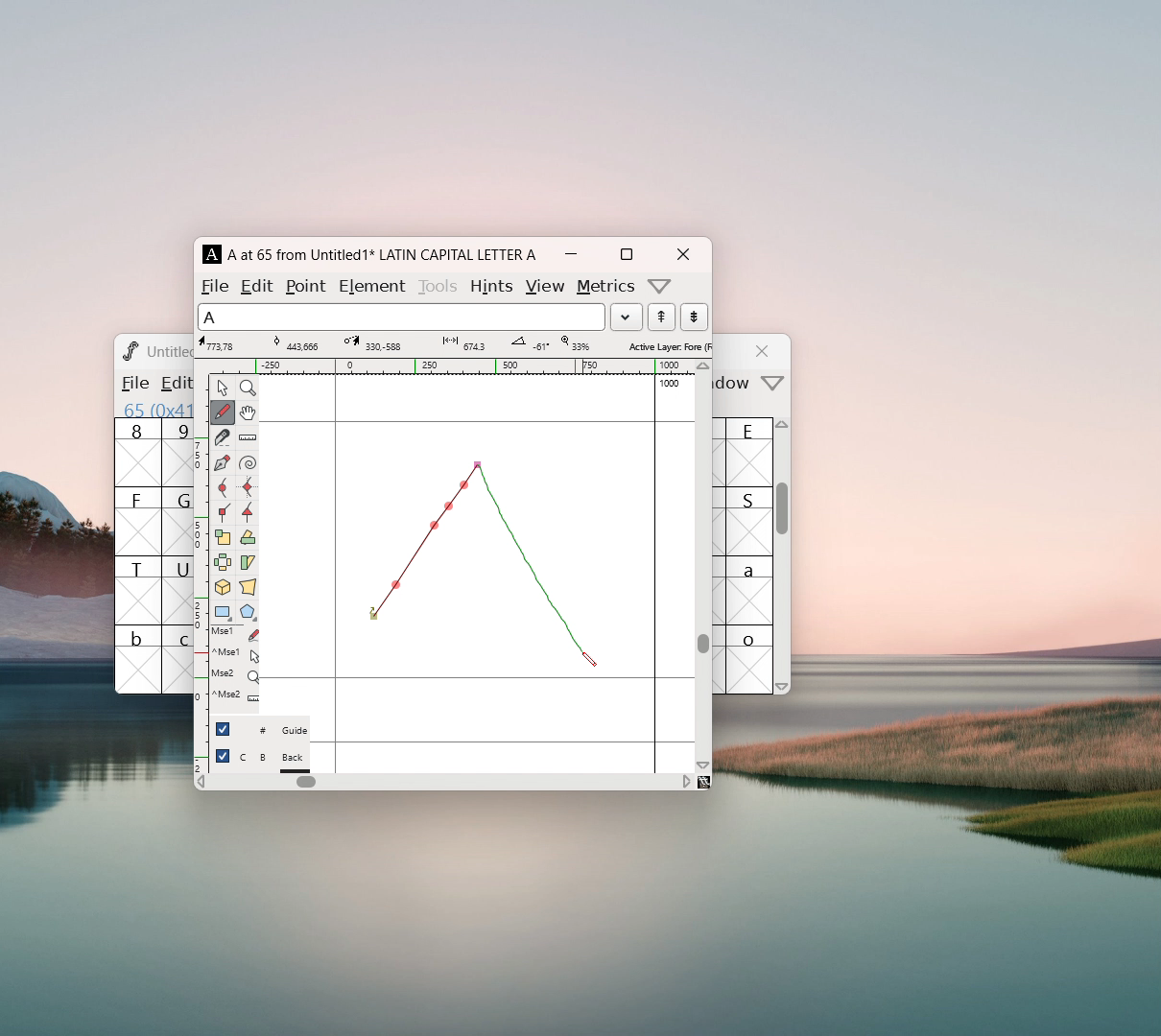 This screenshot has width=1161, height=1036. Describe the element at coordinates (237, 634) in the screenshot. I see `Mse1` at that location.